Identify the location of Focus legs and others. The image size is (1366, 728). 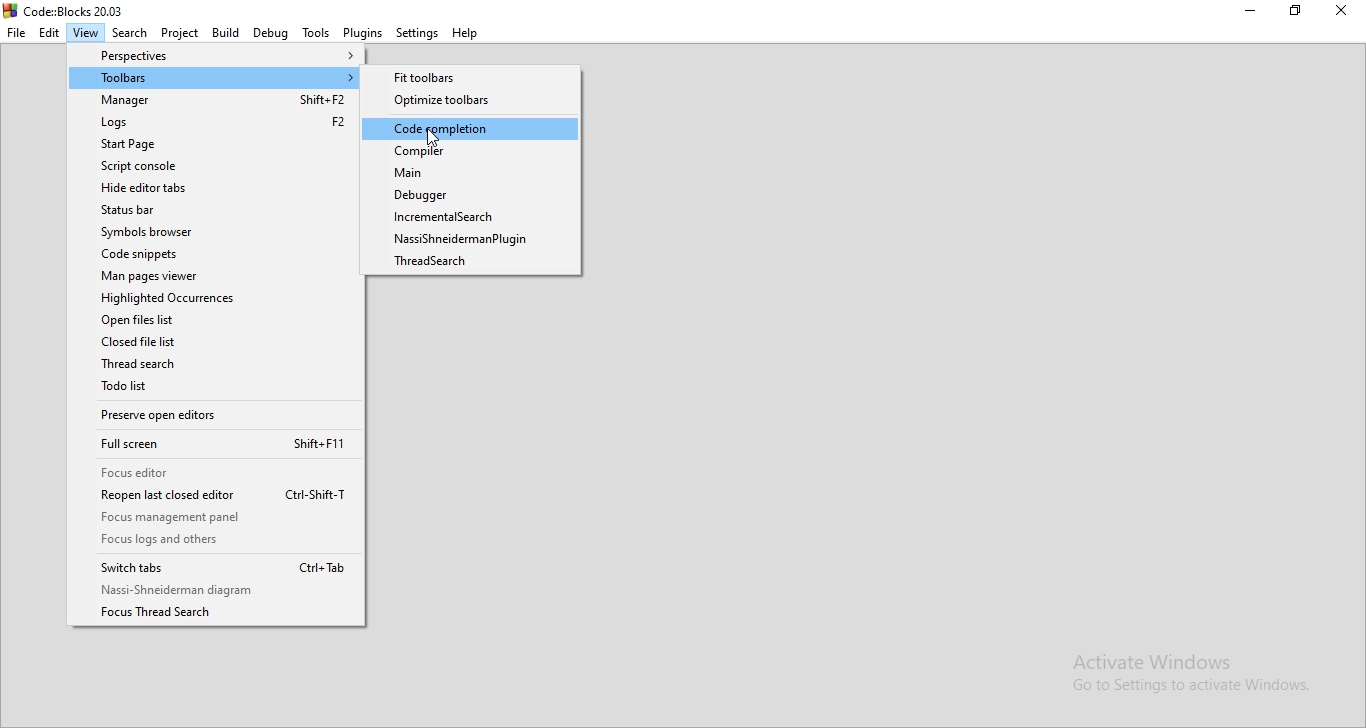
(212, 541).